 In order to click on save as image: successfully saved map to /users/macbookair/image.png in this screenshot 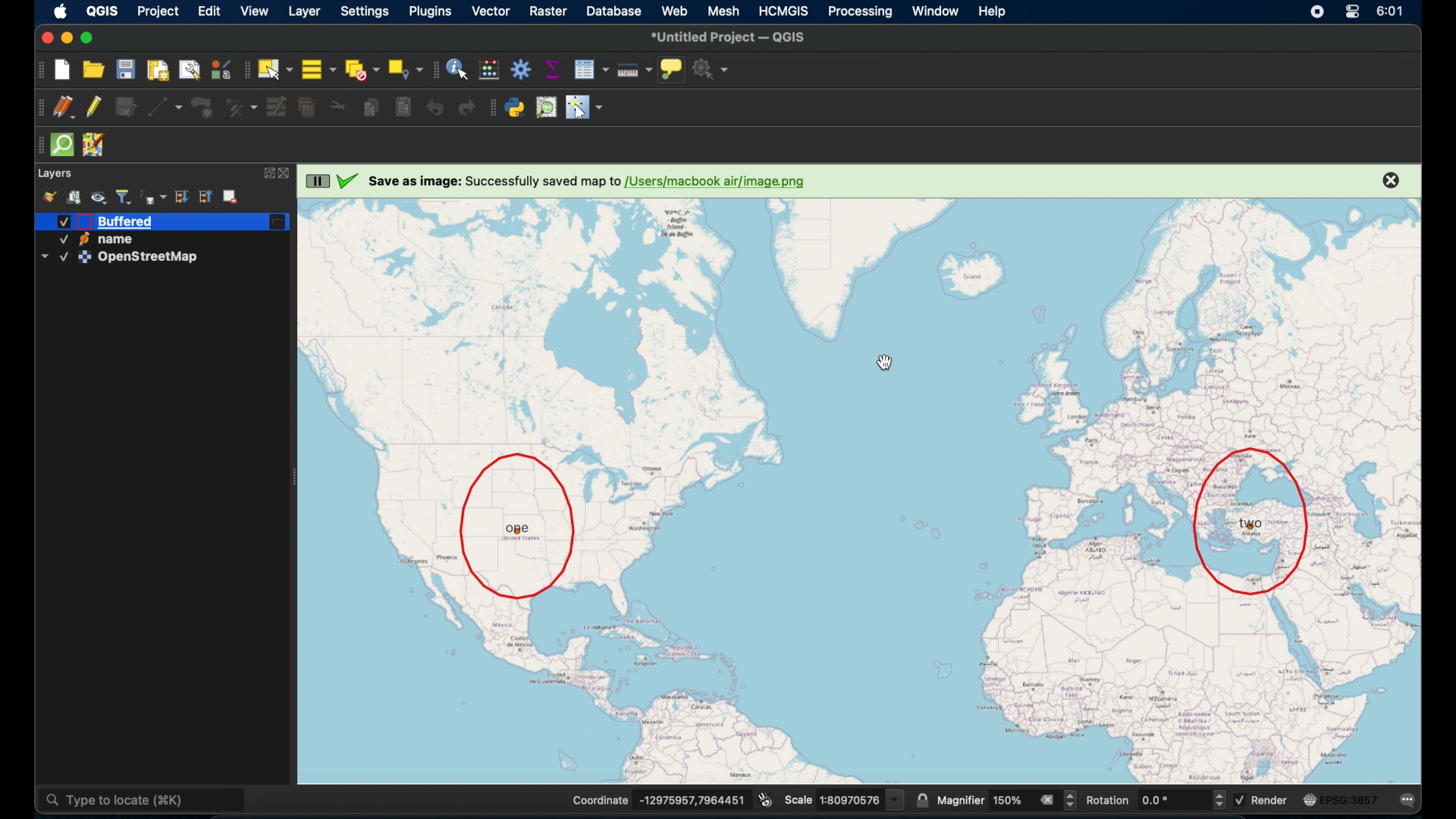, I will do `click(595, 181)`.